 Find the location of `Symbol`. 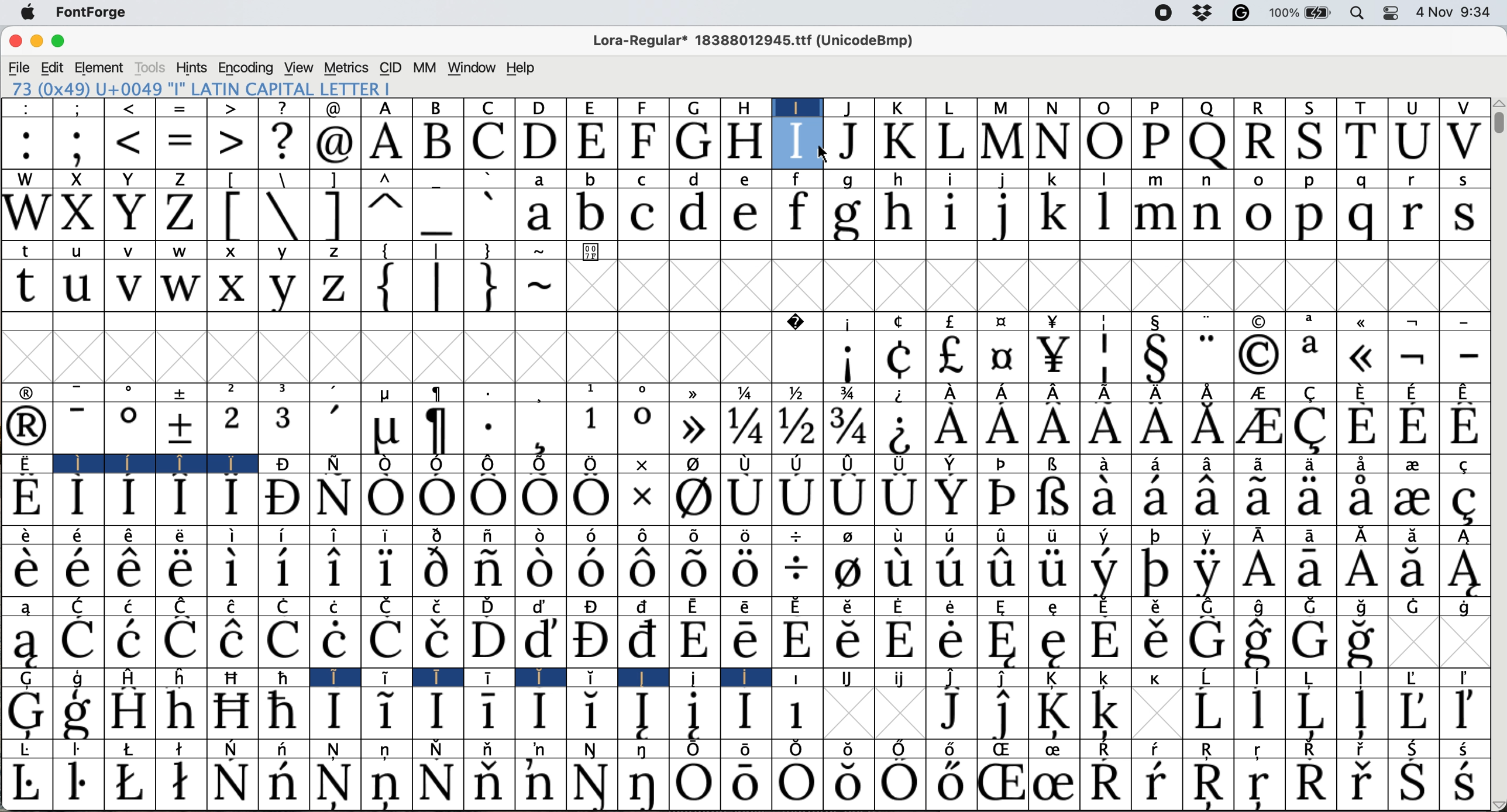

Symbol is located at coordinates (948, 500).